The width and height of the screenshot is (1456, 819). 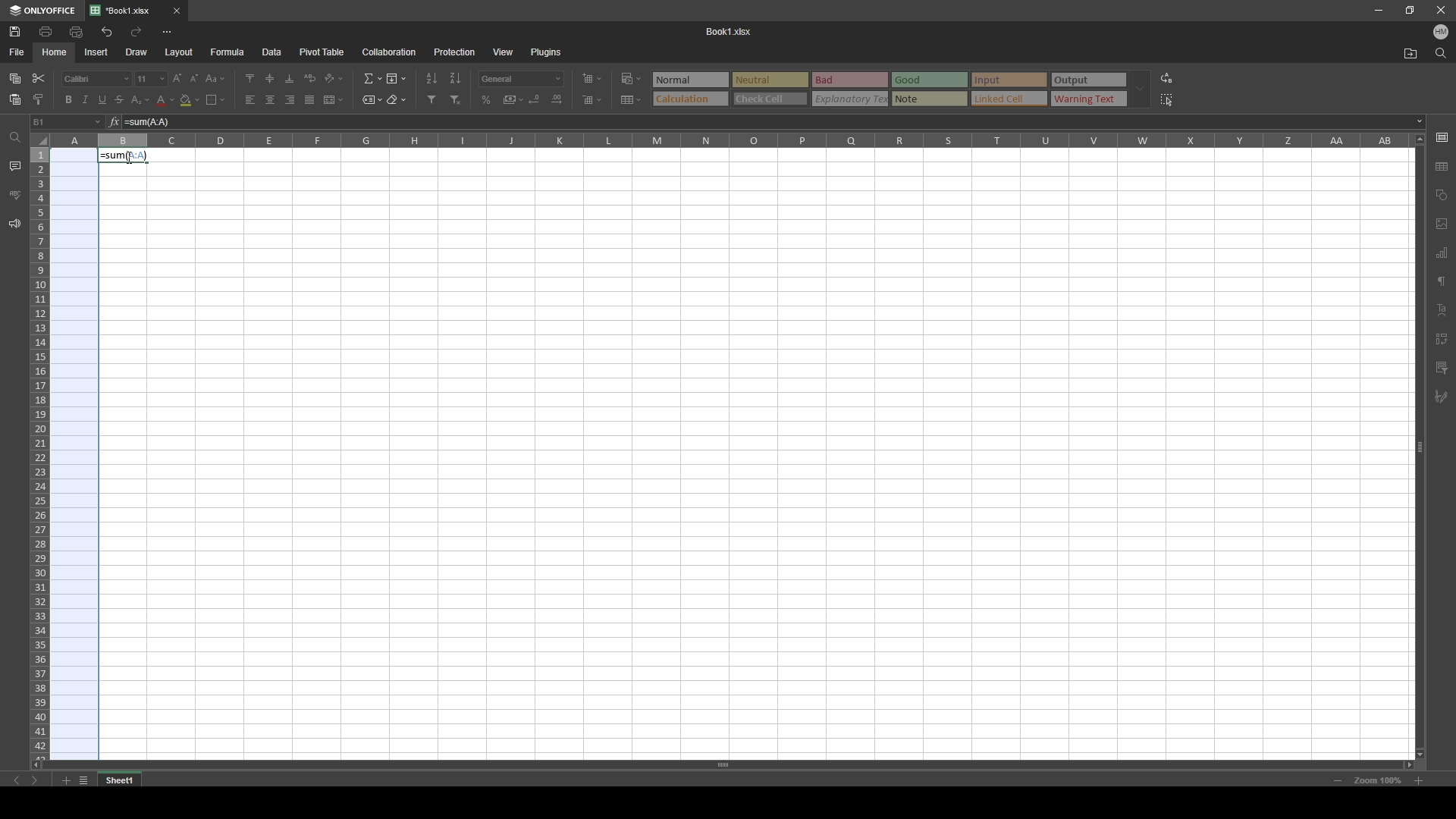 I want to click on layout, so click(x=180, y=53).